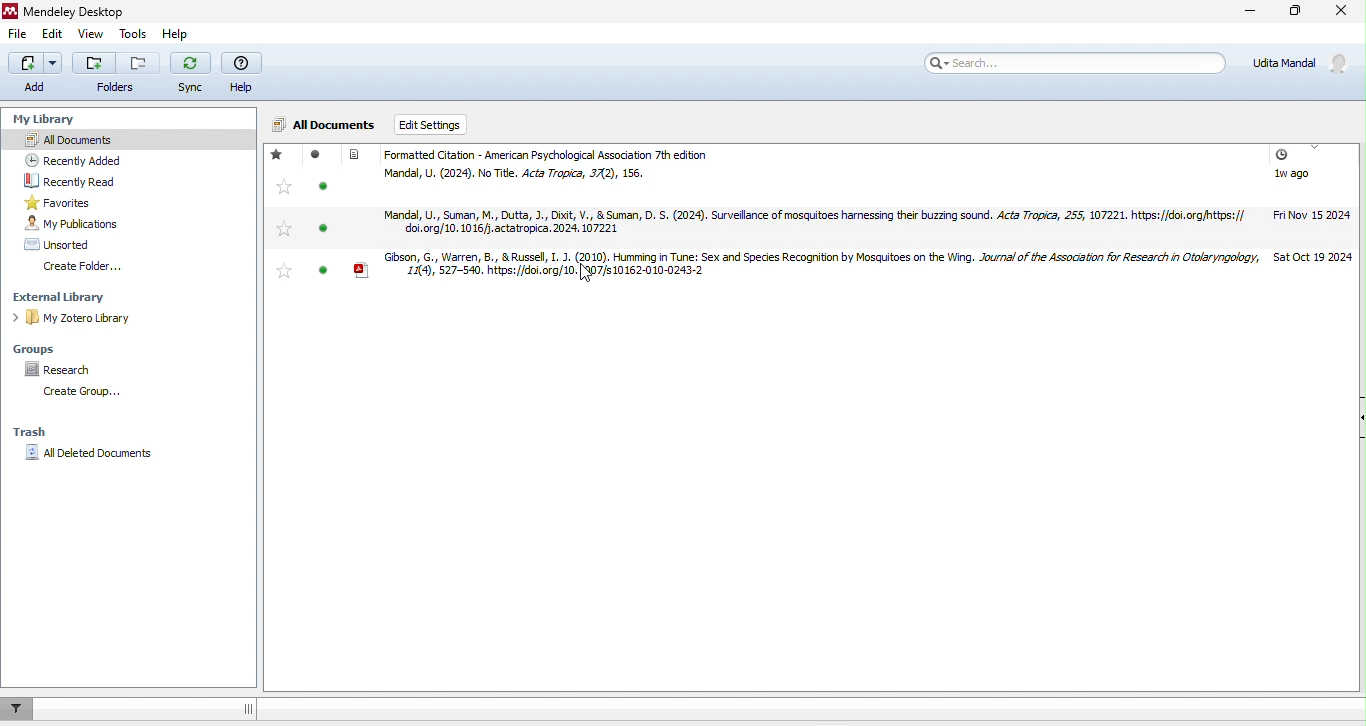  I want to click on add this reference to favourites, so click(285, 219).